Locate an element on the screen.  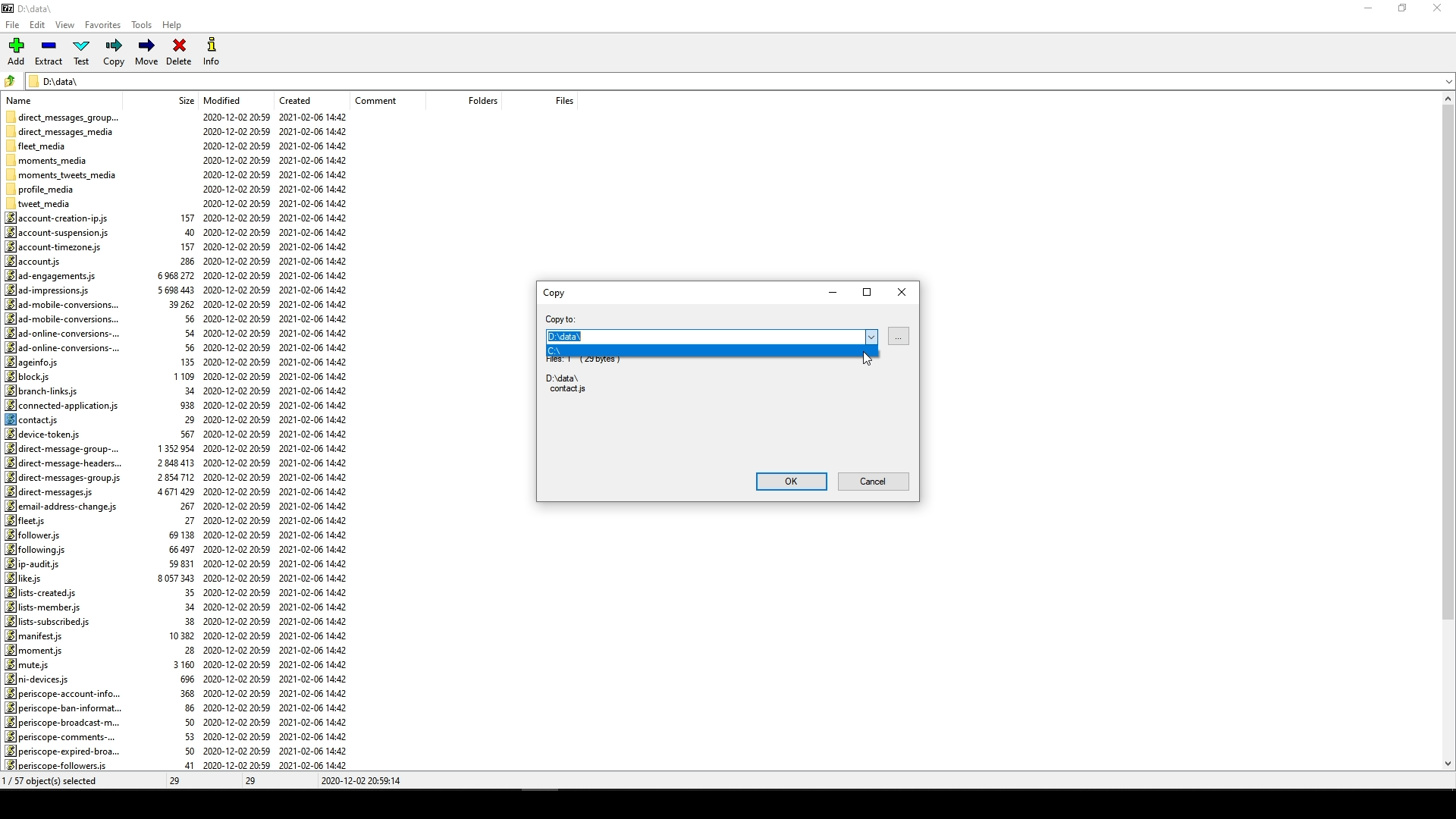
moment.js is located at coordinates (36, 649).